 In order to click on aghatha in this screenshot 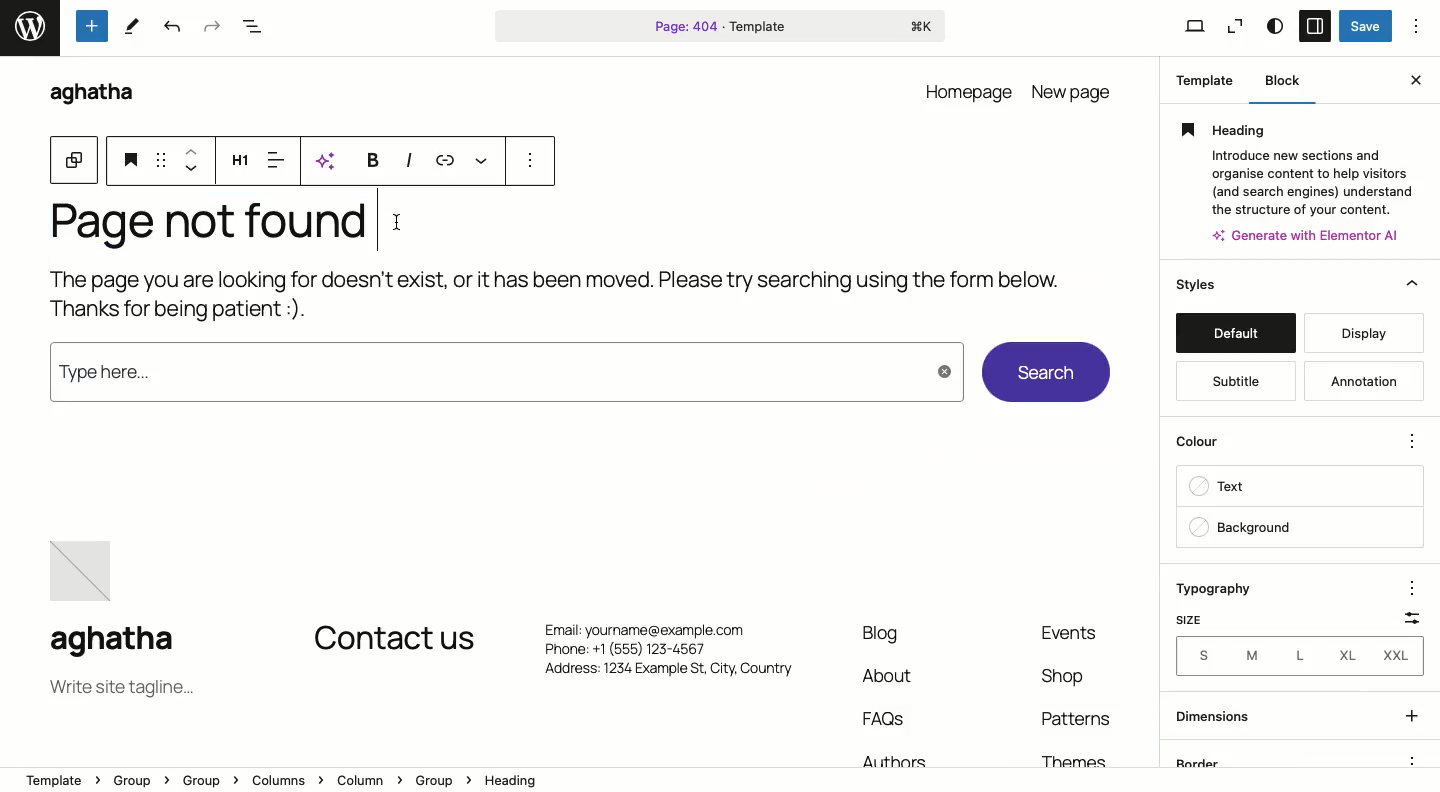, I will do `click(129, 643)`.